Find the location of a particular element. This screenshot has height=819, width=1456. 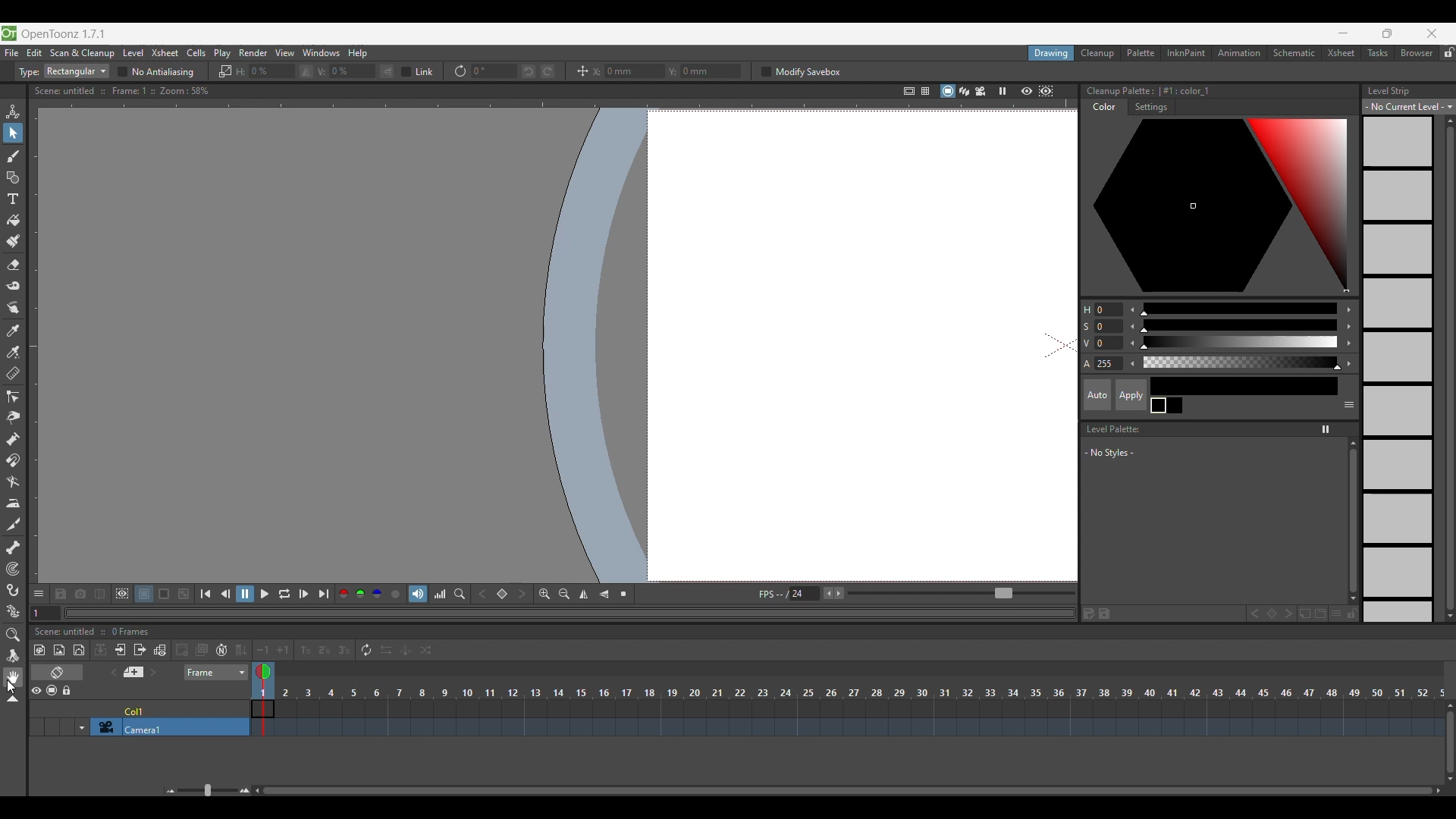

InknPaint is located at coordinates (1185, 53).